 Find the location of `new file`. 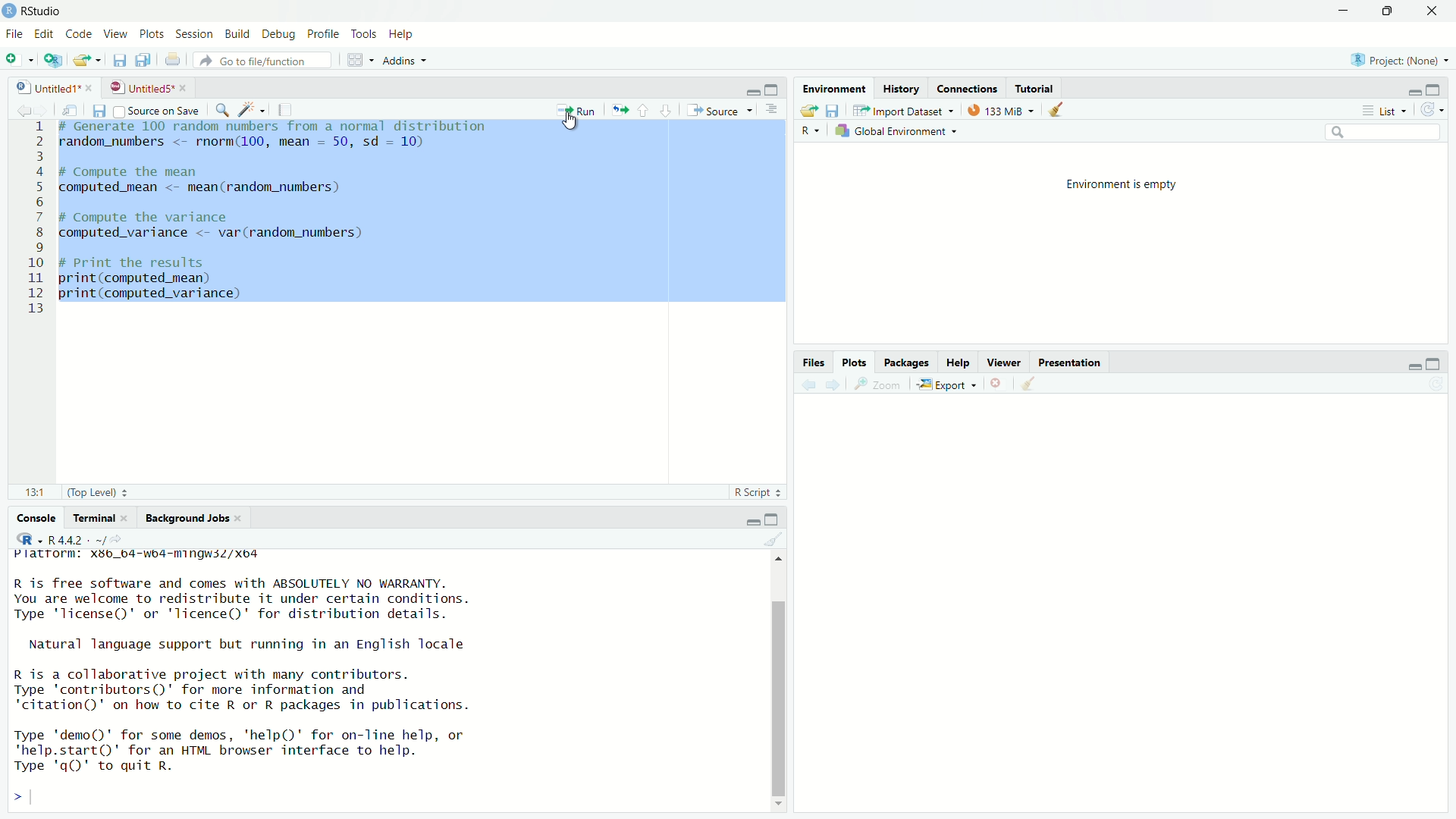

new file is located at coordinates (18, 58).